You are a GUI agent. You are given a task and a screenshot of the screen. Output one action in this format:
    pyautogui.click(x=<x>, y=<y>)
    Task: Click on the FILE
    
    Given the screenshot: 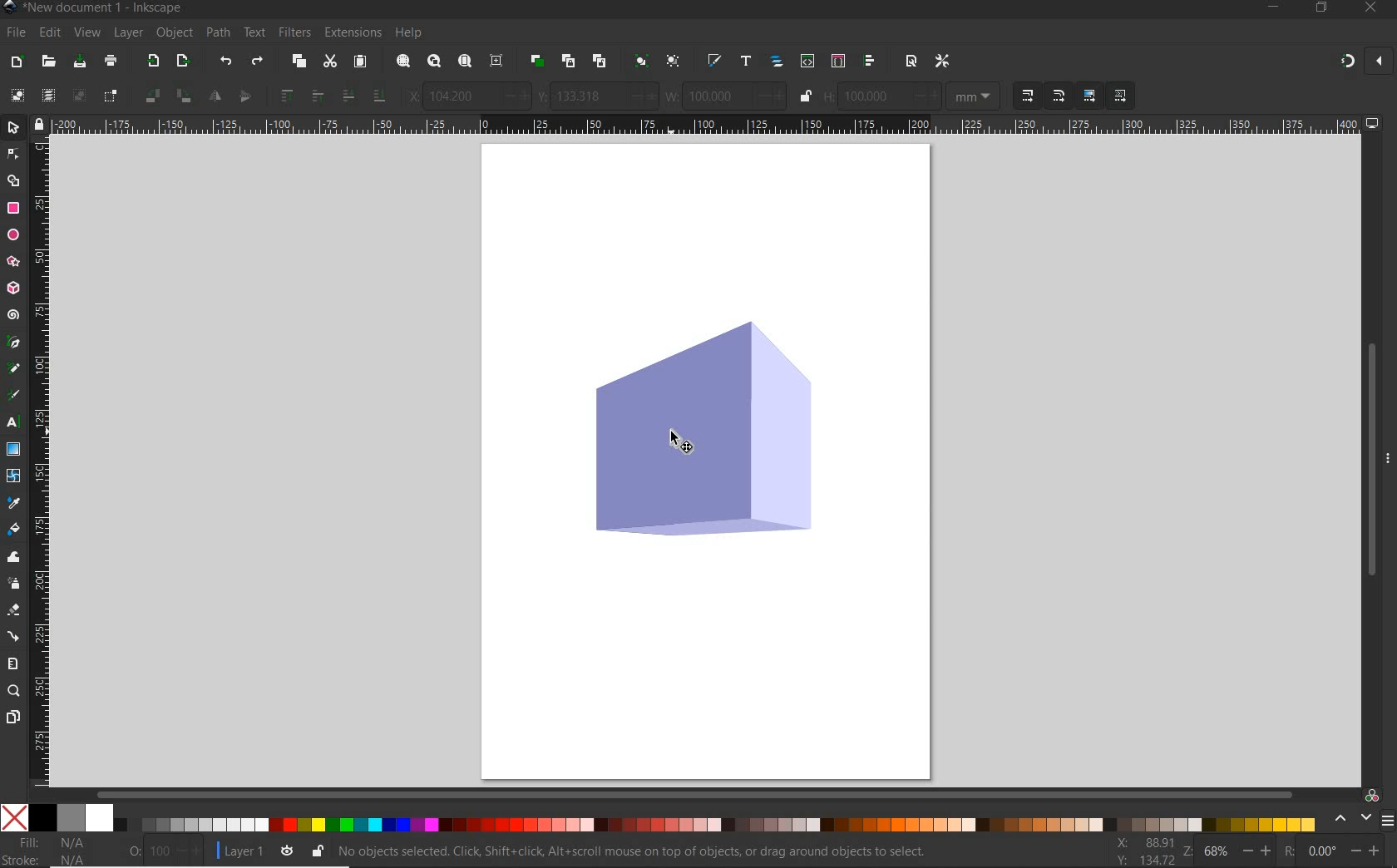 What is the action you would take?
    pyautogui.click(x=15, y=33)
    